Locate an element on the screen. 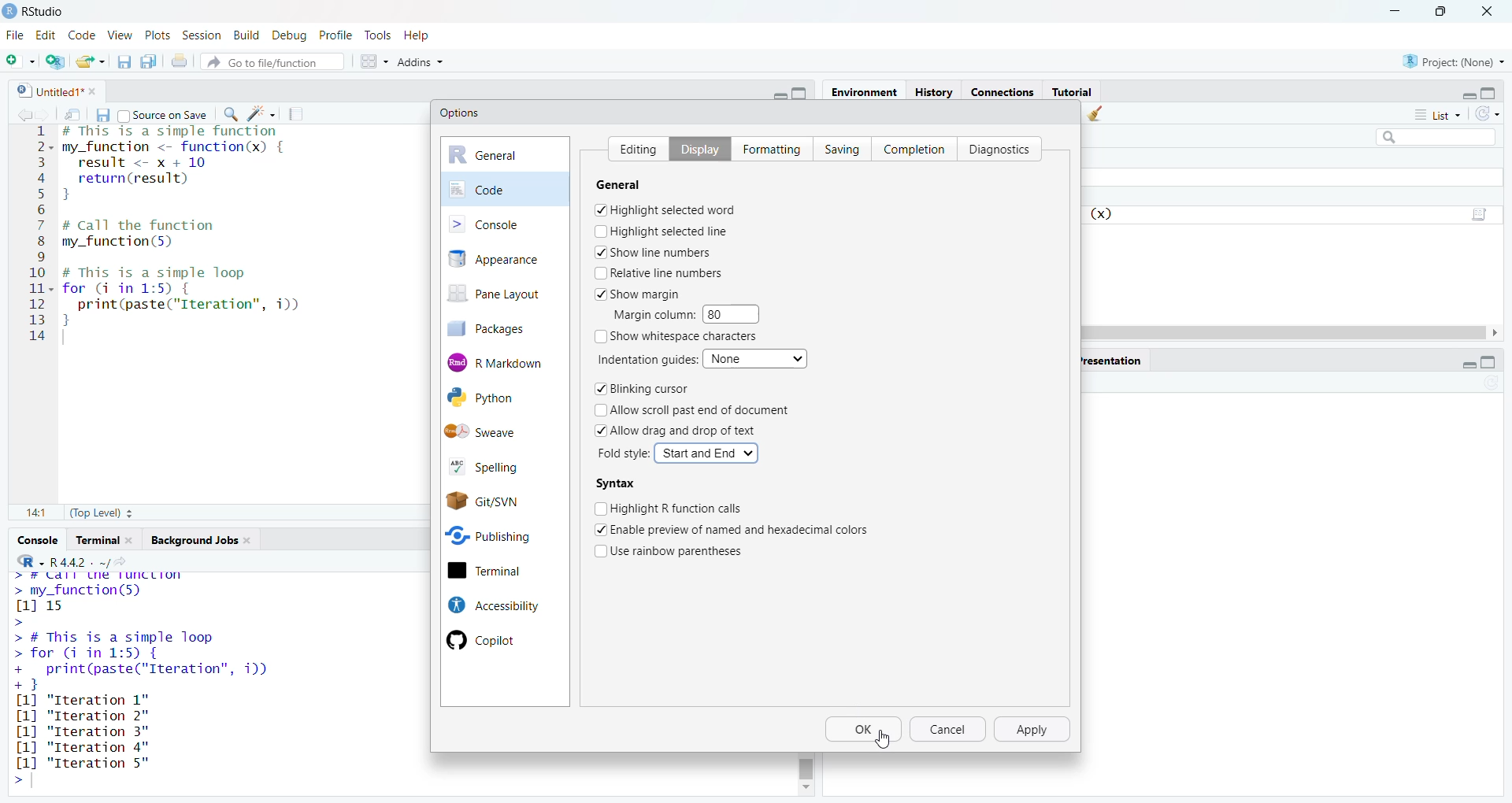 The image size is (1512, 803). font style is located at coordinates (625, 453).